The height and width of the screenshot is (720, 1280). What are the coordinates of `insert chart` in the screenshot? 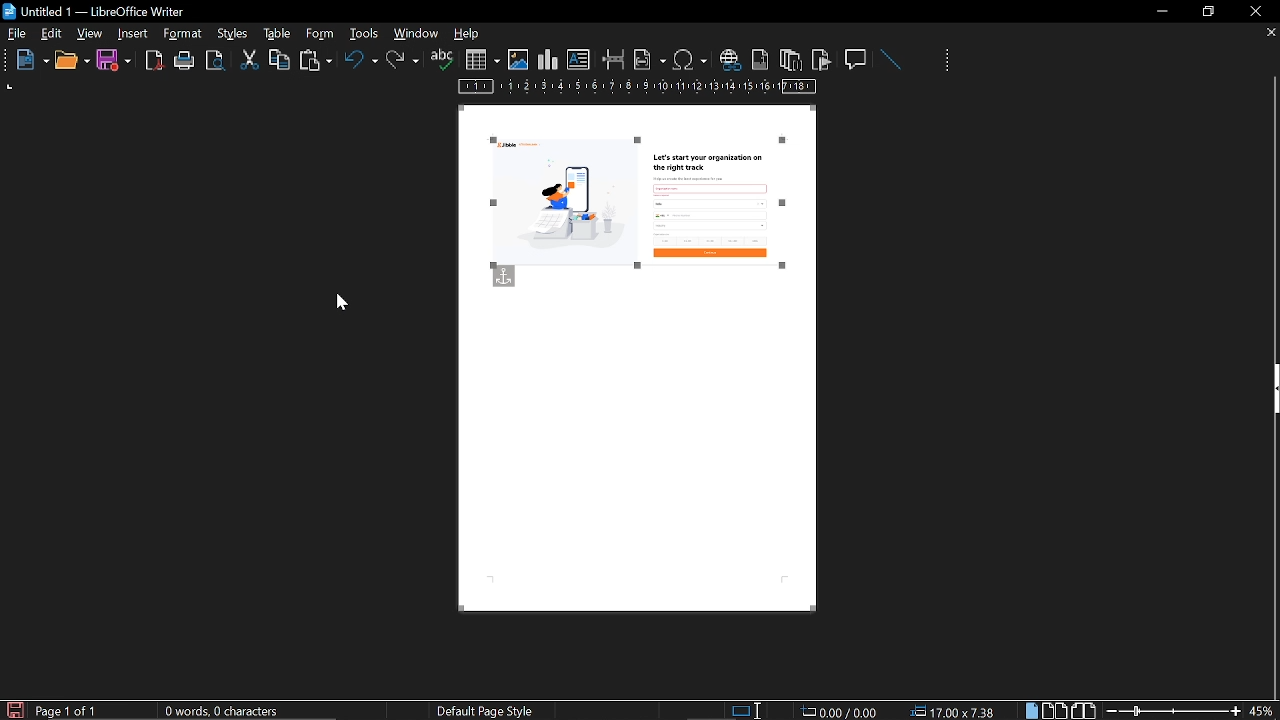 It's located at (548, 60).